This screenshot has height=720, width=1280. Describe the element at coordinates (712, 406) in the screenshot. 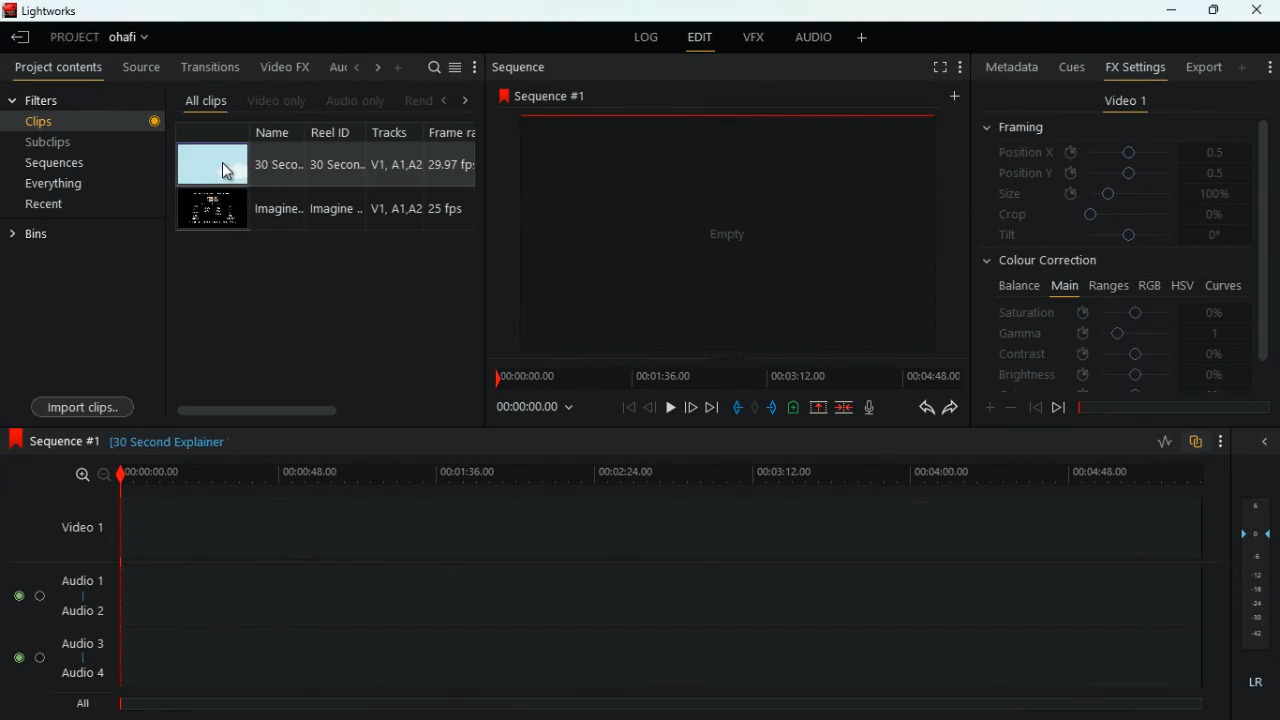

I see `end` at that location.